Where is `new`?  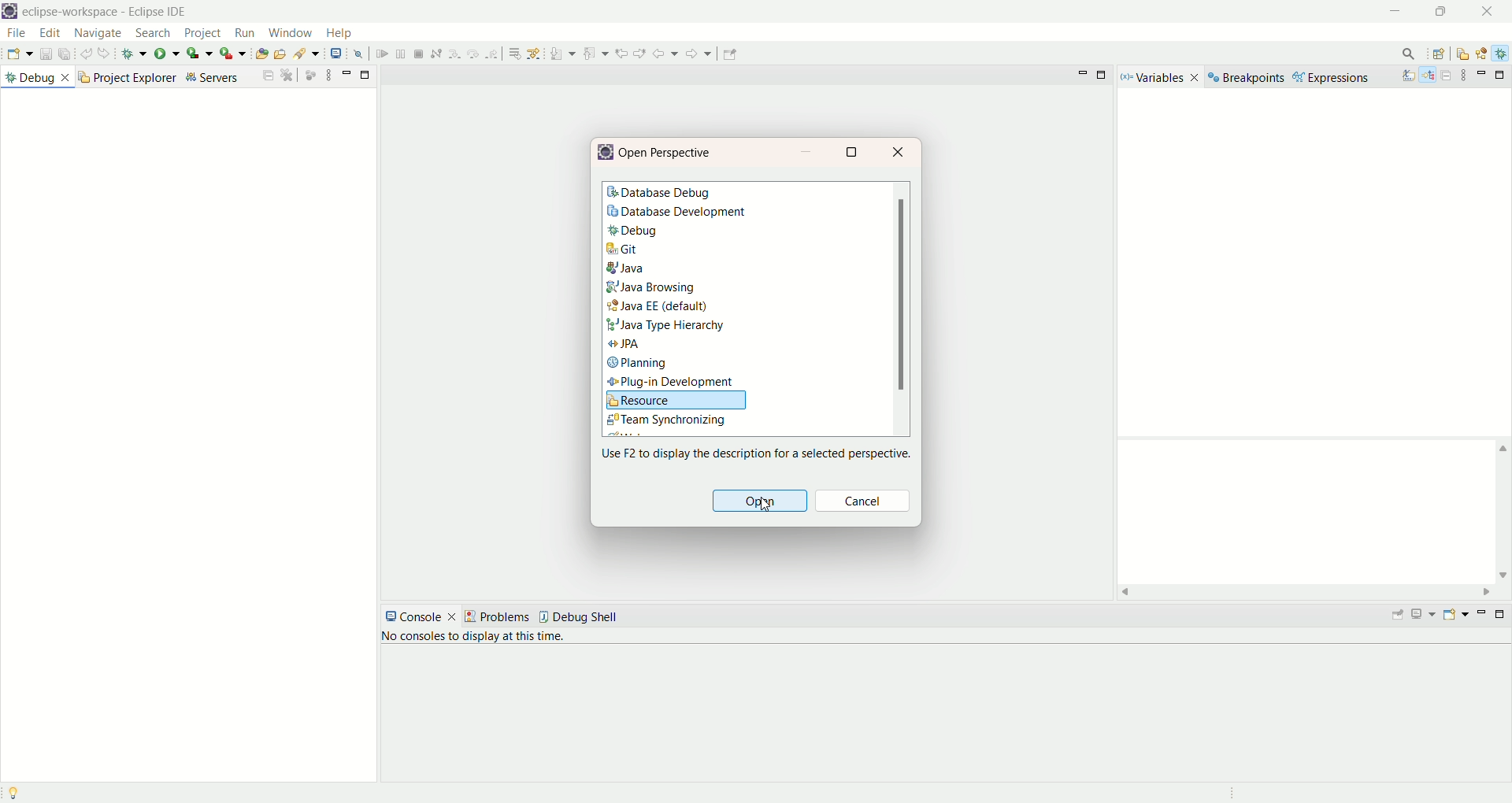 new is located at coordinates (17, 54).